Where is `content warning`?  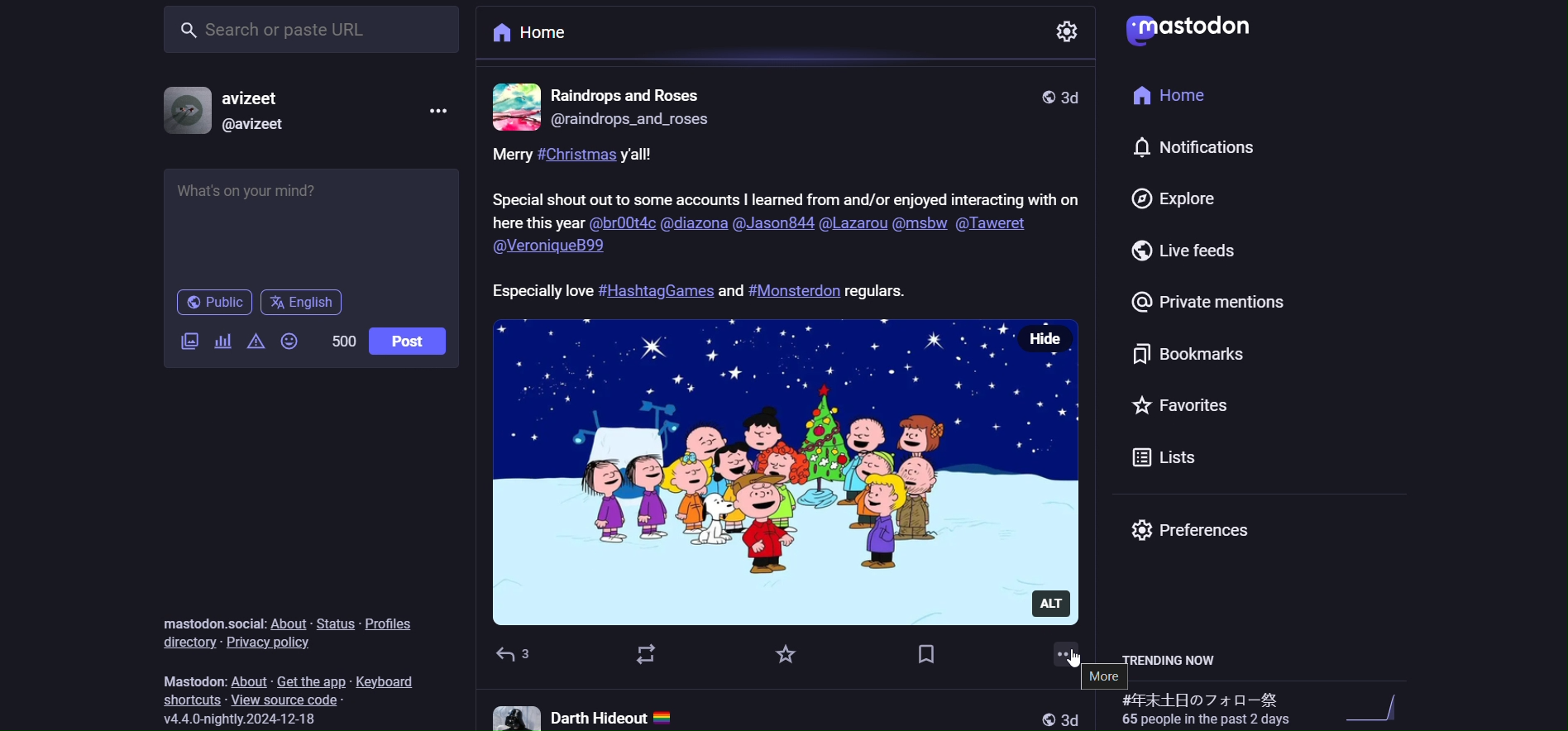
content warning is located at coordinates (255, 342).